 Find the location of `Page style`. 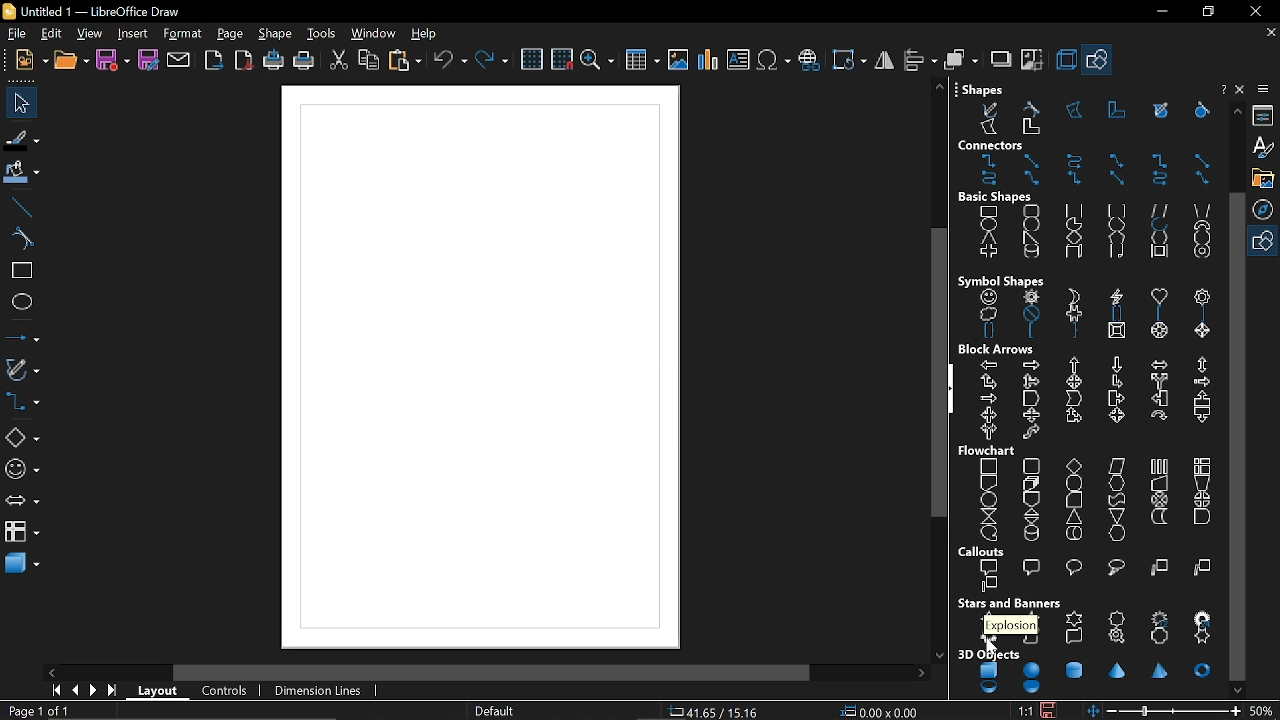

Page style is located at coordinates (496, 710).